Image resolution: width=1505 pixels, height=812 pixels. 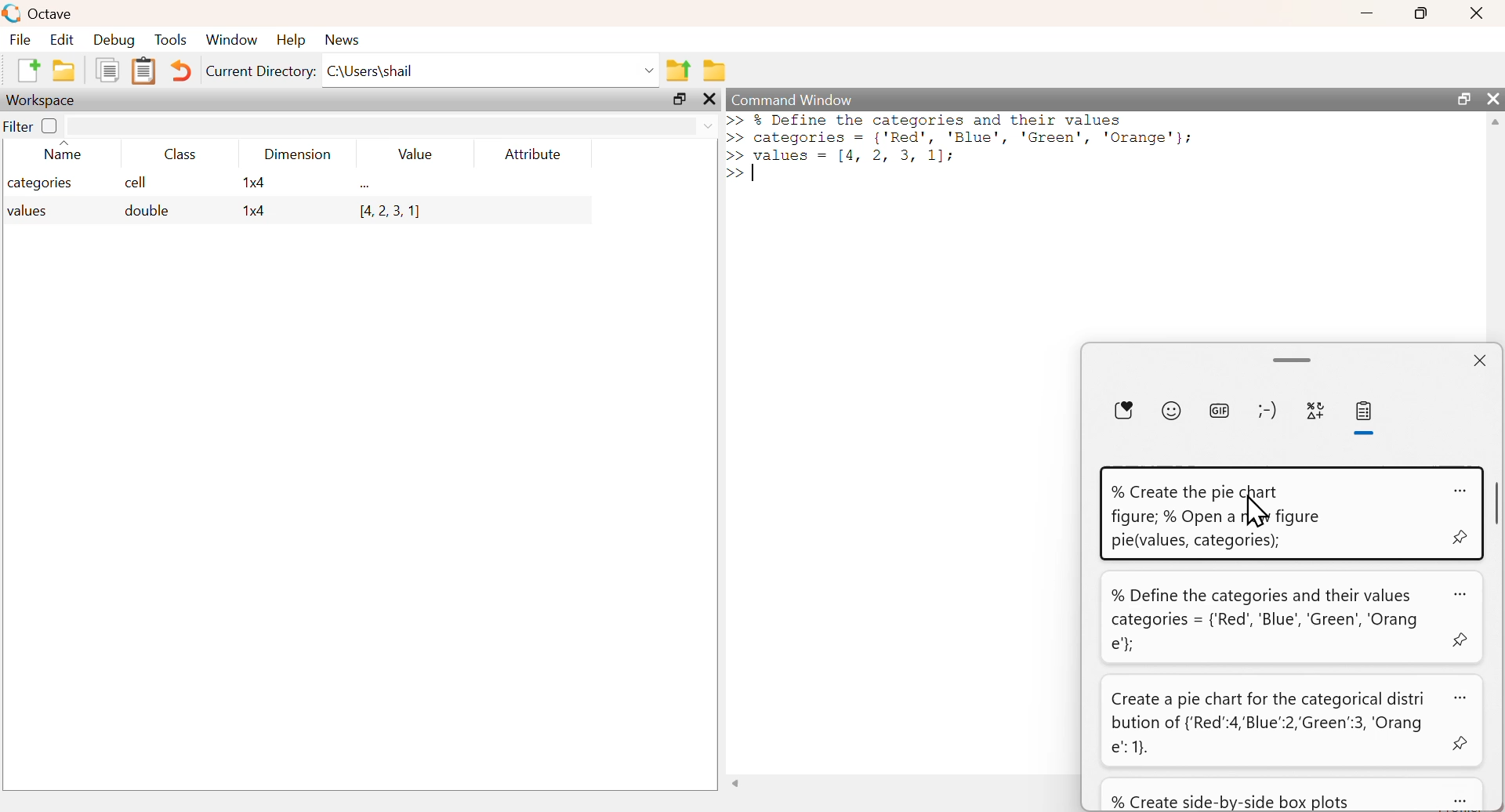 What do you see at coordinates (534, 154) in the screenshot?
I see `Attribute` at bounding box center [534, 154].